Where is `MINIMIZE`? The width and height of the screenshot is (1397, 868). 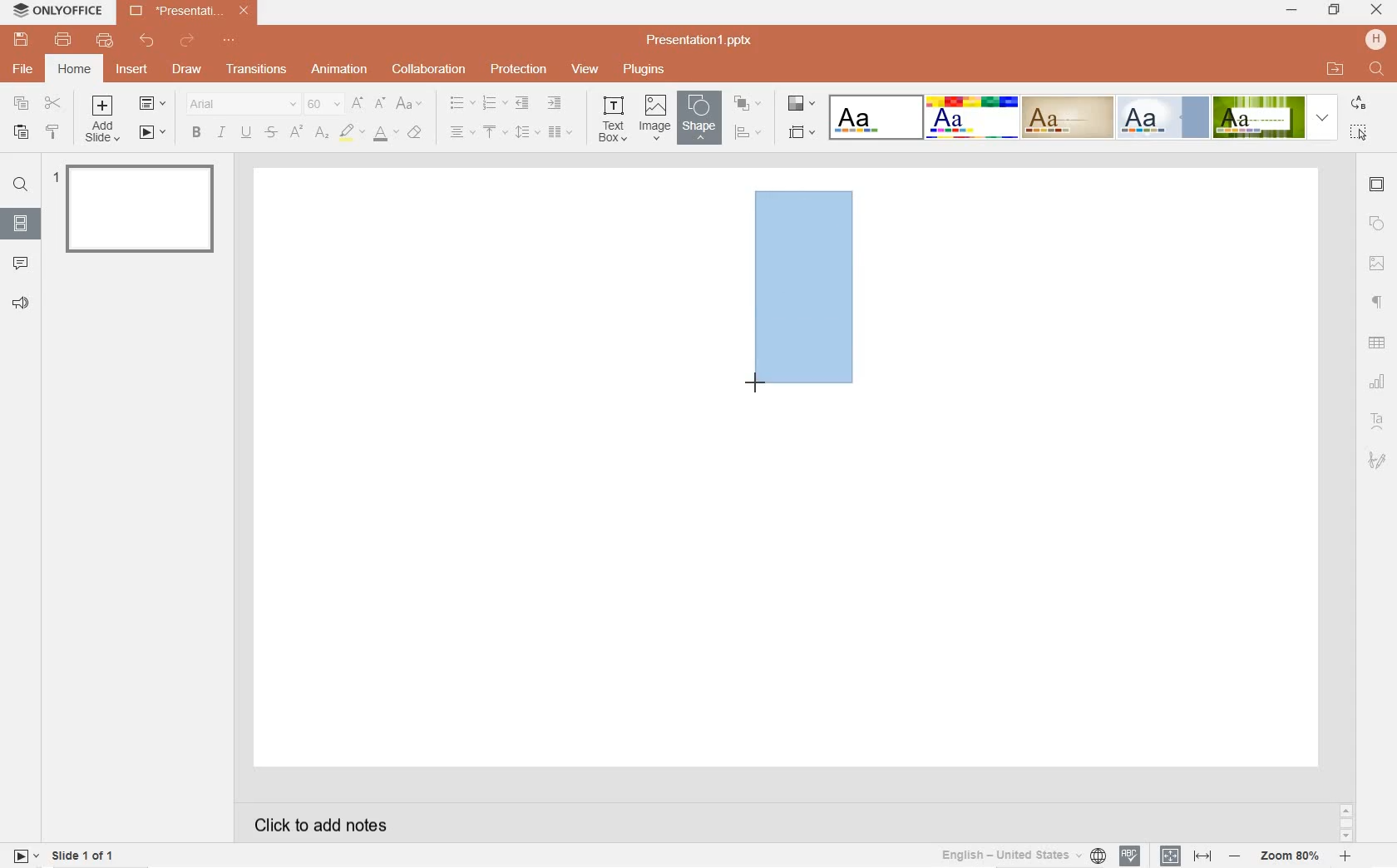
MINIMIZE is located at coordinates (1292, 12).